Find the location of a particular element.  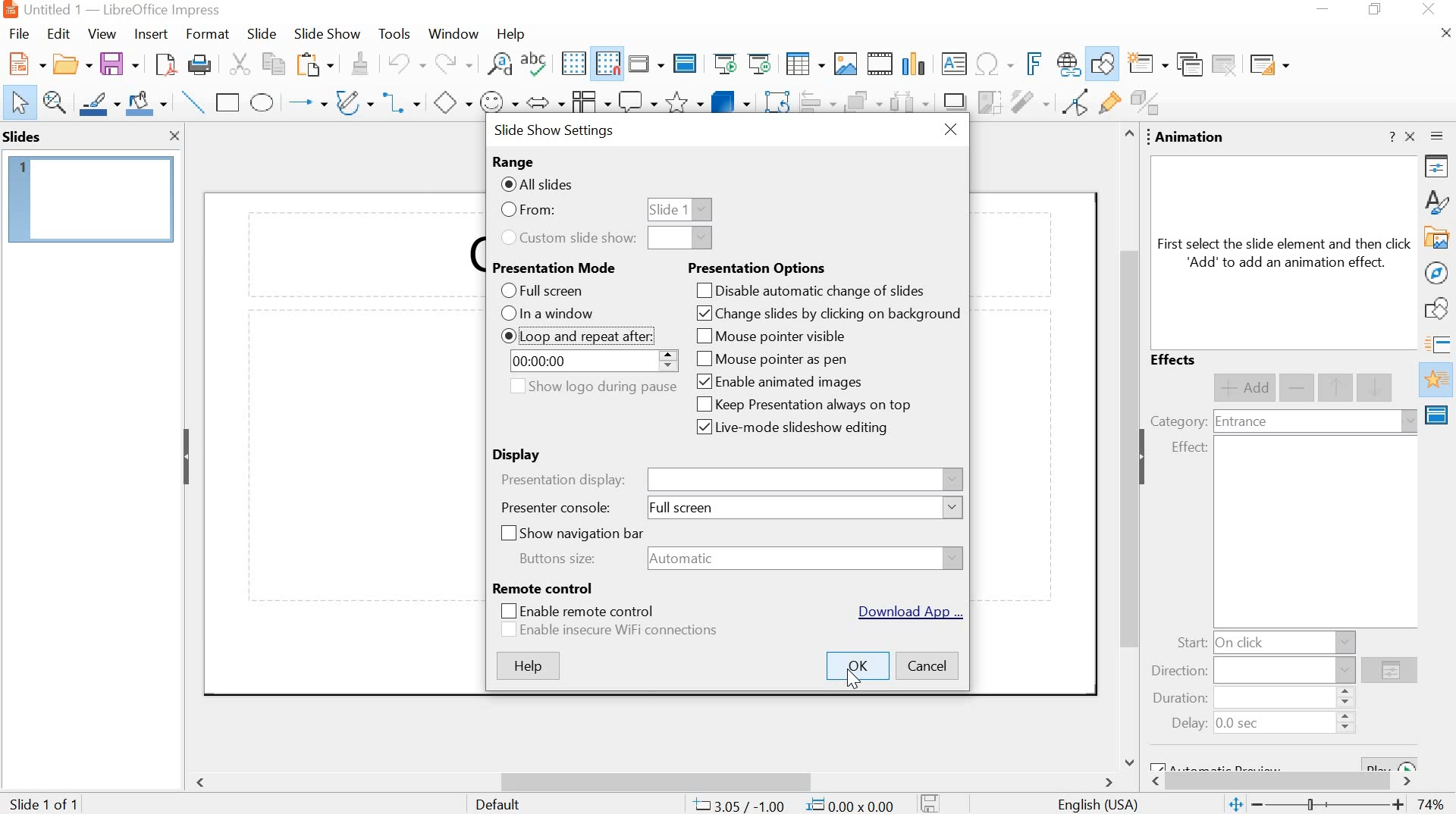

buttons size is located at coordinates (559, 558).